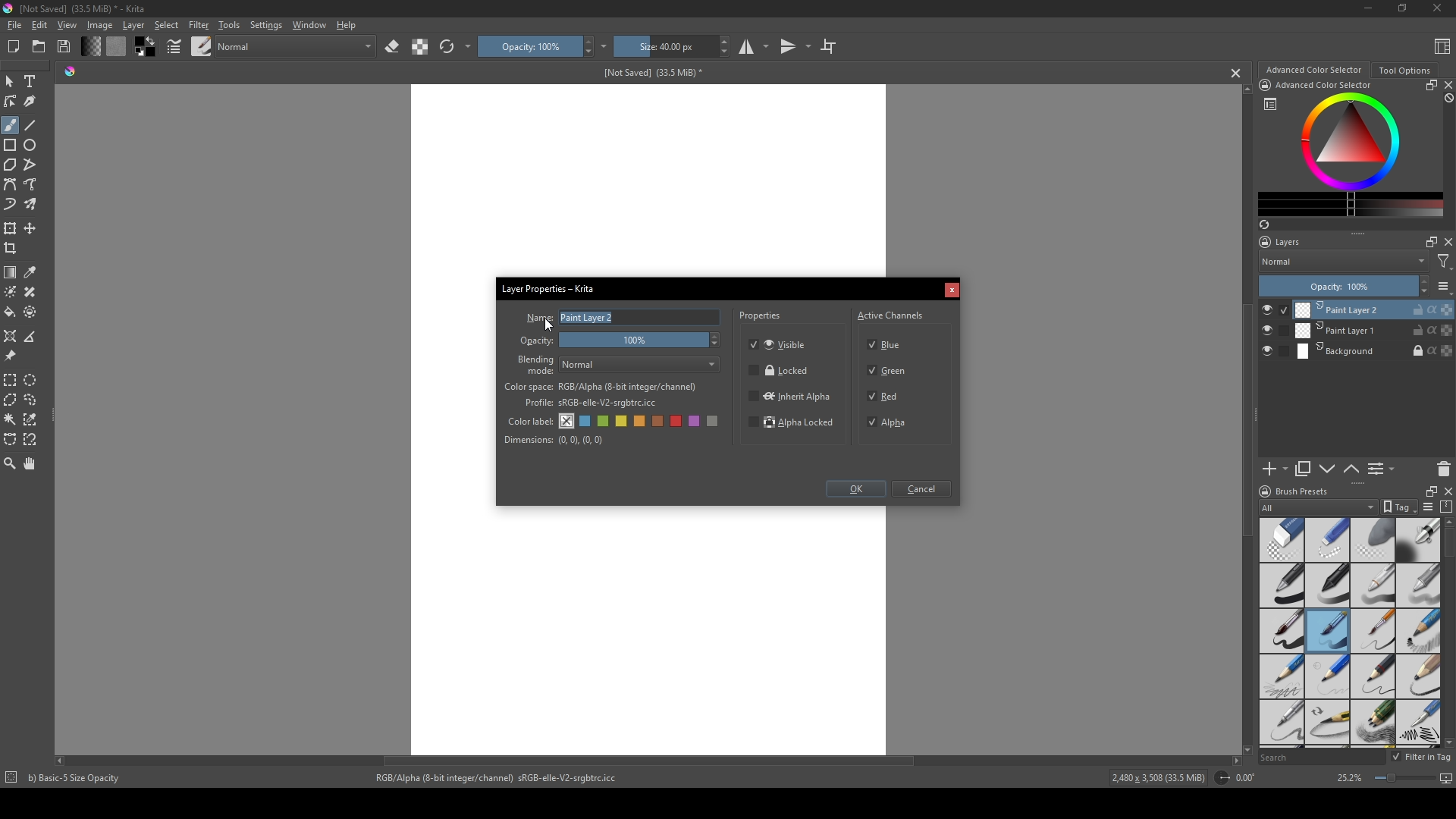 This screenshot has height=819, width=1456. Describe the element at coordinates (1404, 71) in the screenshot. I see `Tool Options` at that location.